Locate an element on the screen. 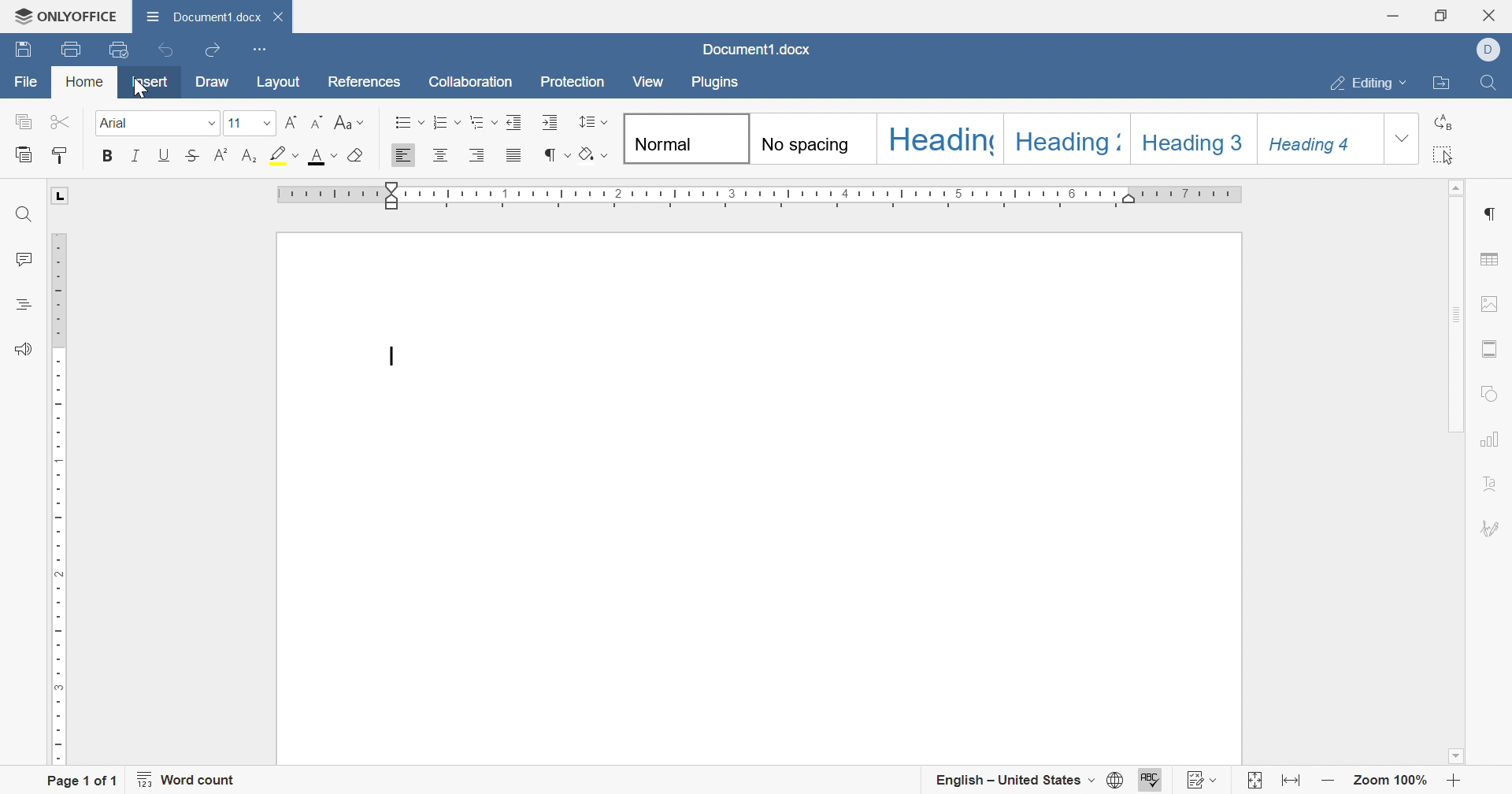 This screenshot has width=1512, height=794. Shading is located at coordinates (595, 155).